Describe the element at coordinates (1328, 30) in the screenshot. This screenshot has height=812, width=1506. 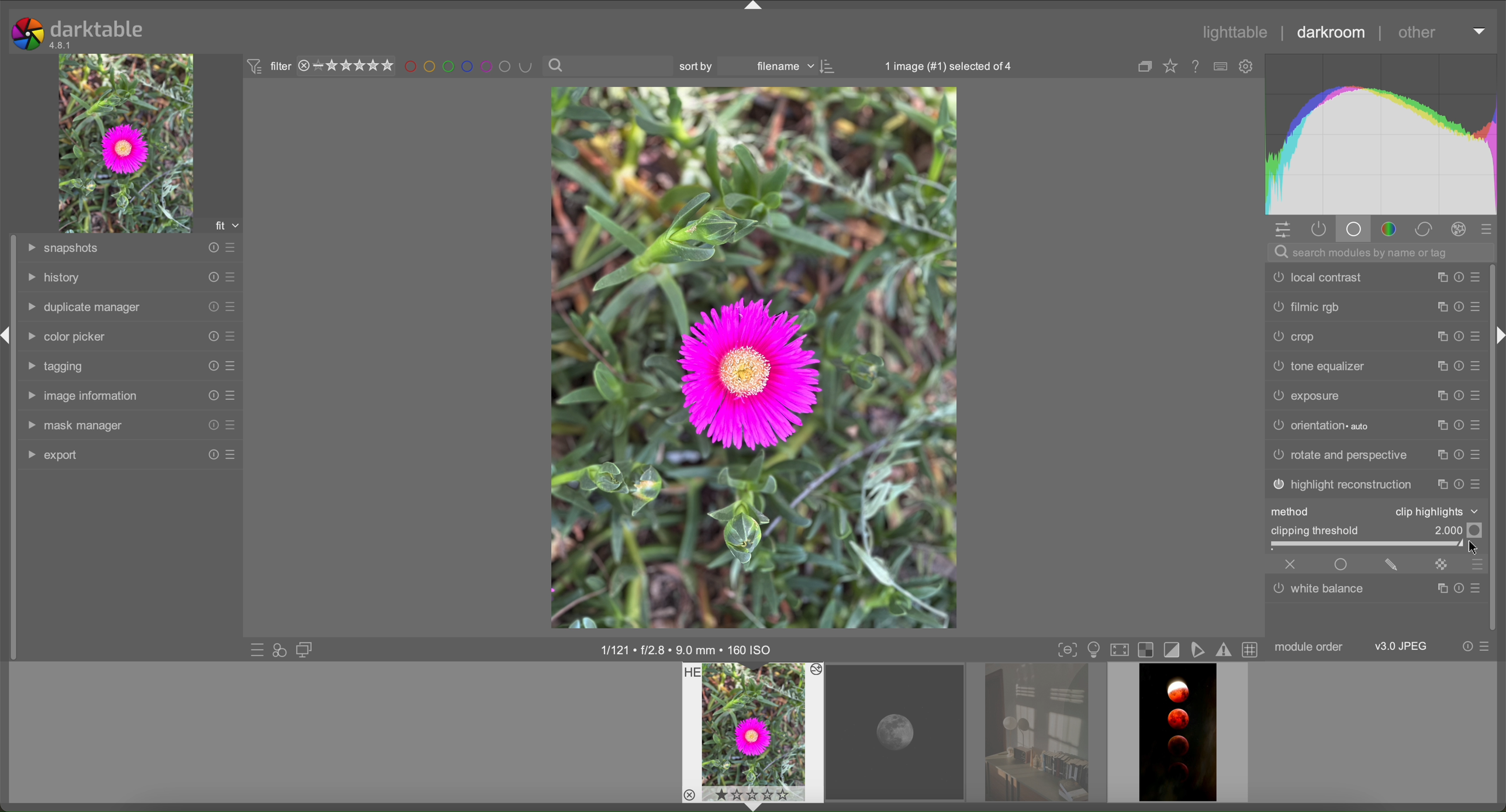
I see `darkroom` at that location.